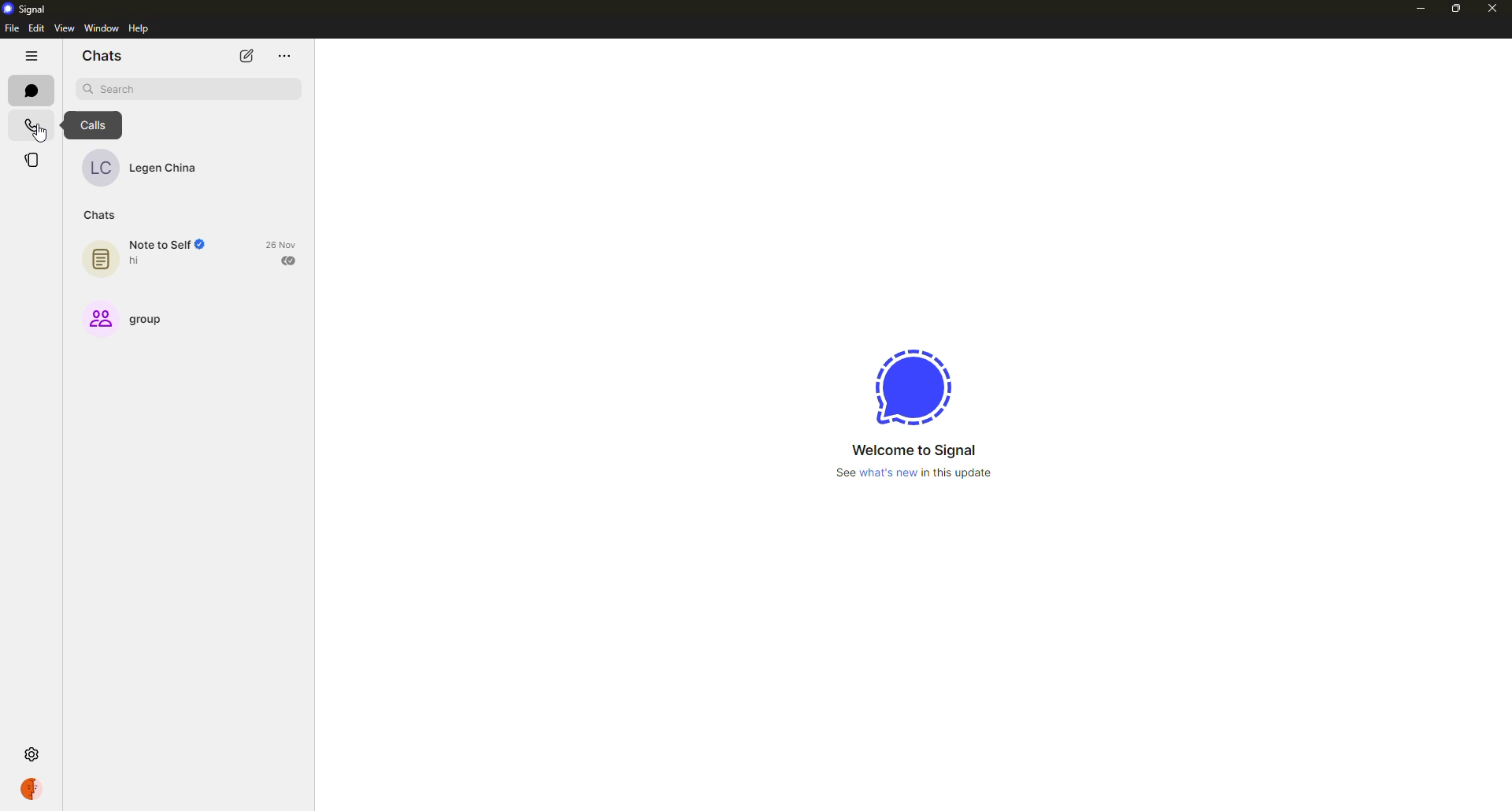 This screenshot has height=811, width=1512. I want to click on more, so click(285, 56).